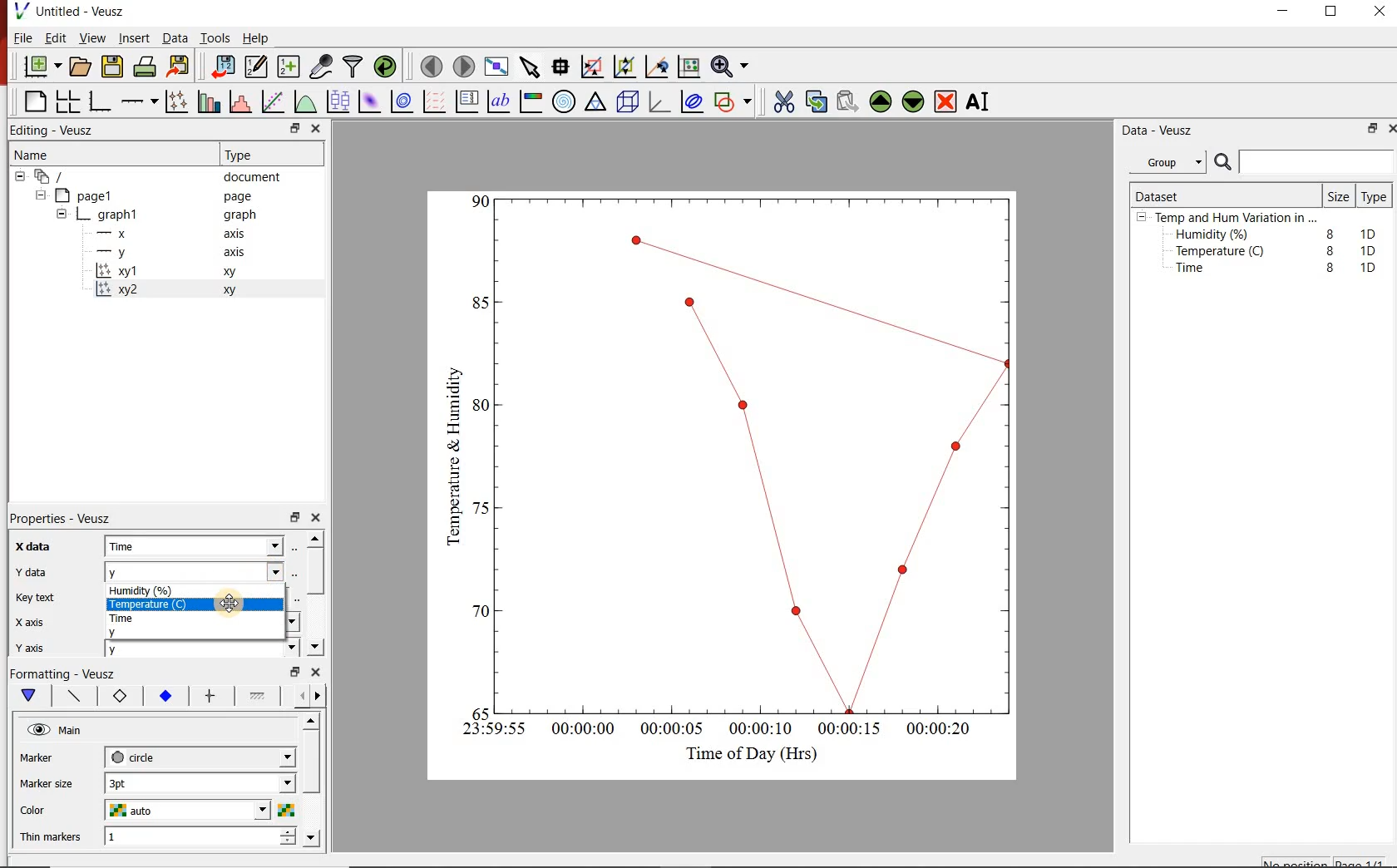 This screenshot has width=1397, height=868. I want to click on auto, so click(134, 811).